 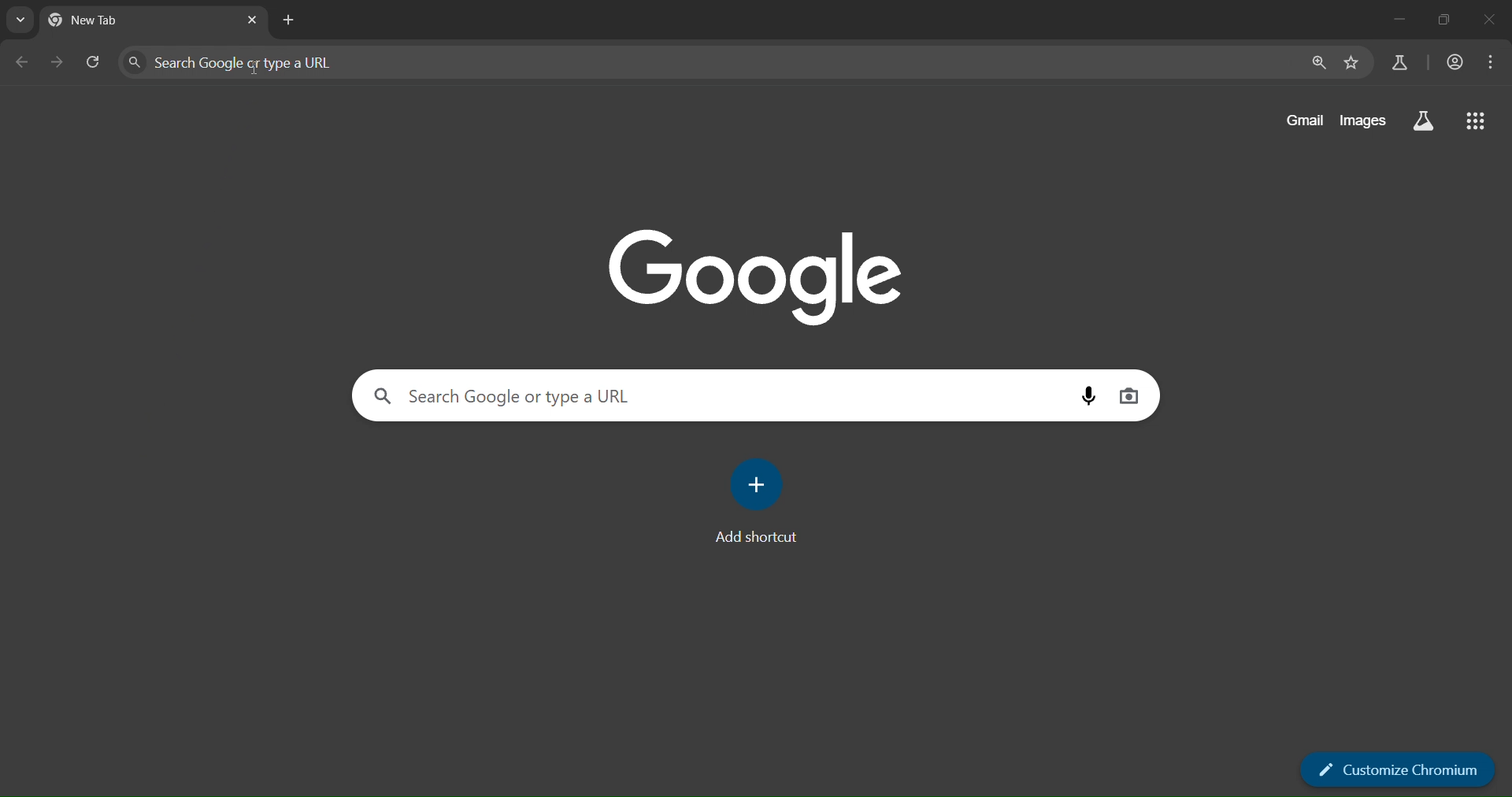 I want to click on new tab, so click(x=288, y=20).